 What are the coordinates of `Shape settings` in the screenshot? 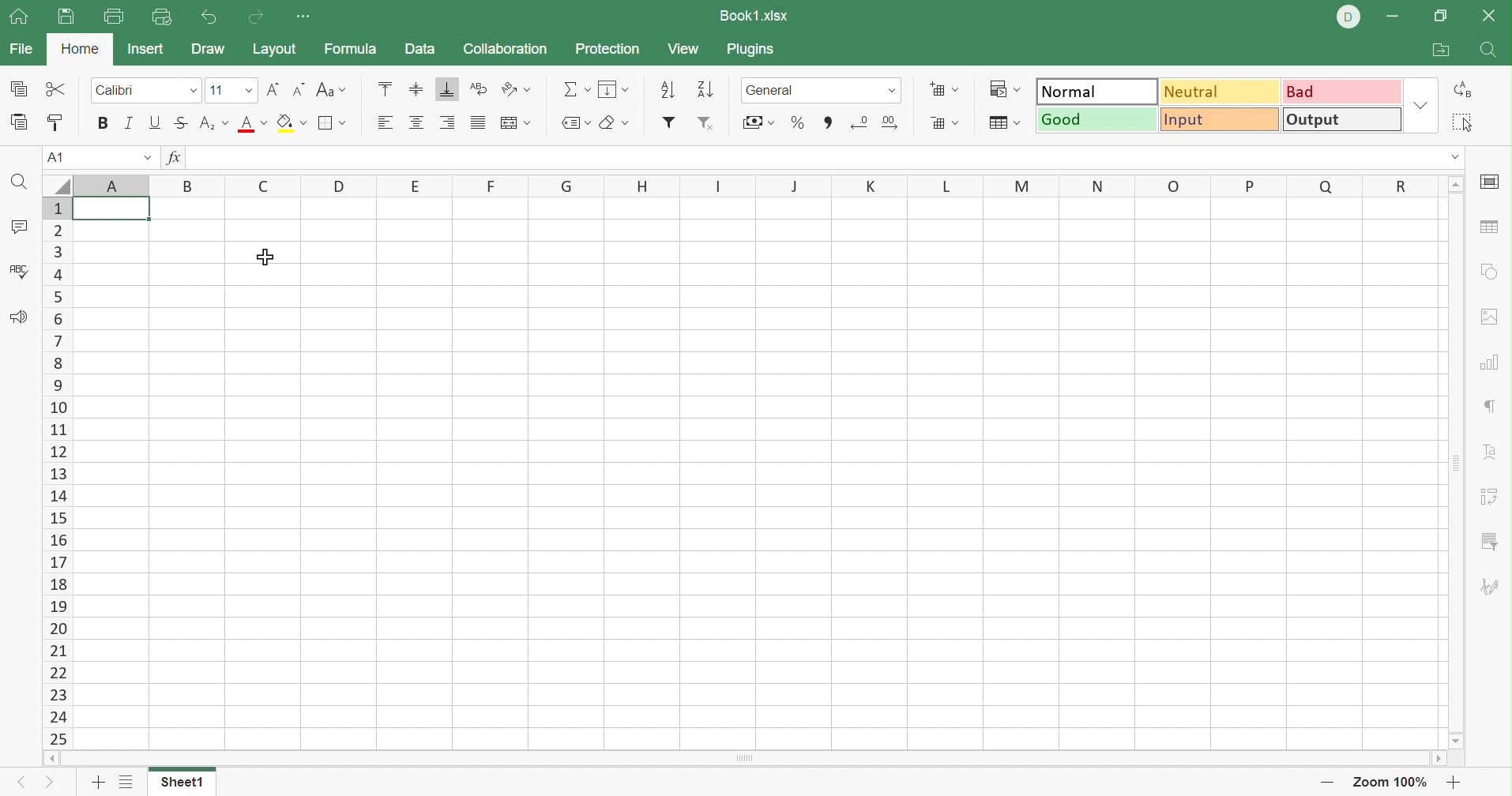 It's located at (1488, 272).